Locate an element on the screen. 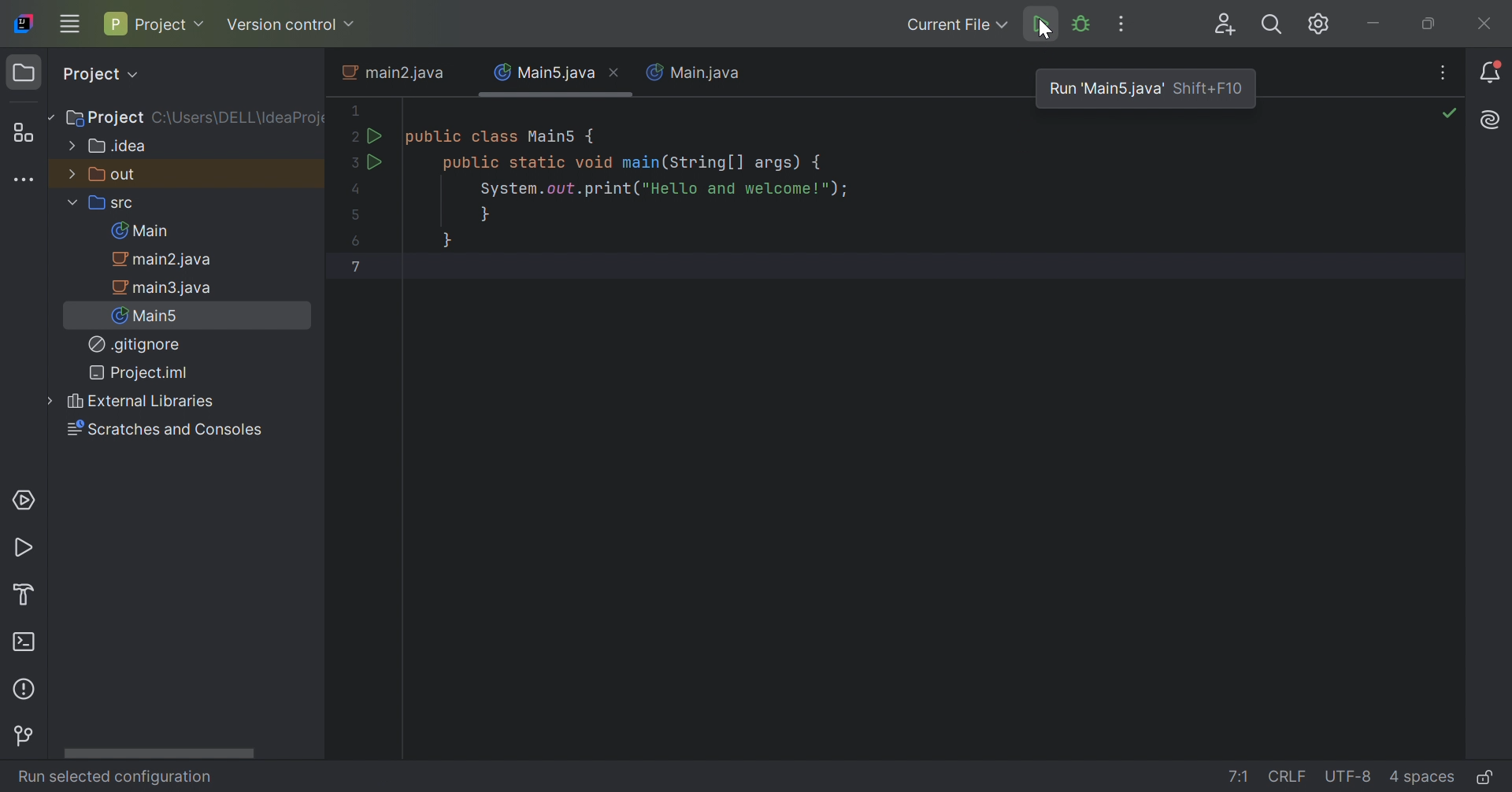 This screenshot has width=1512, height=792. Version Control is located at coordinates (31, 735).